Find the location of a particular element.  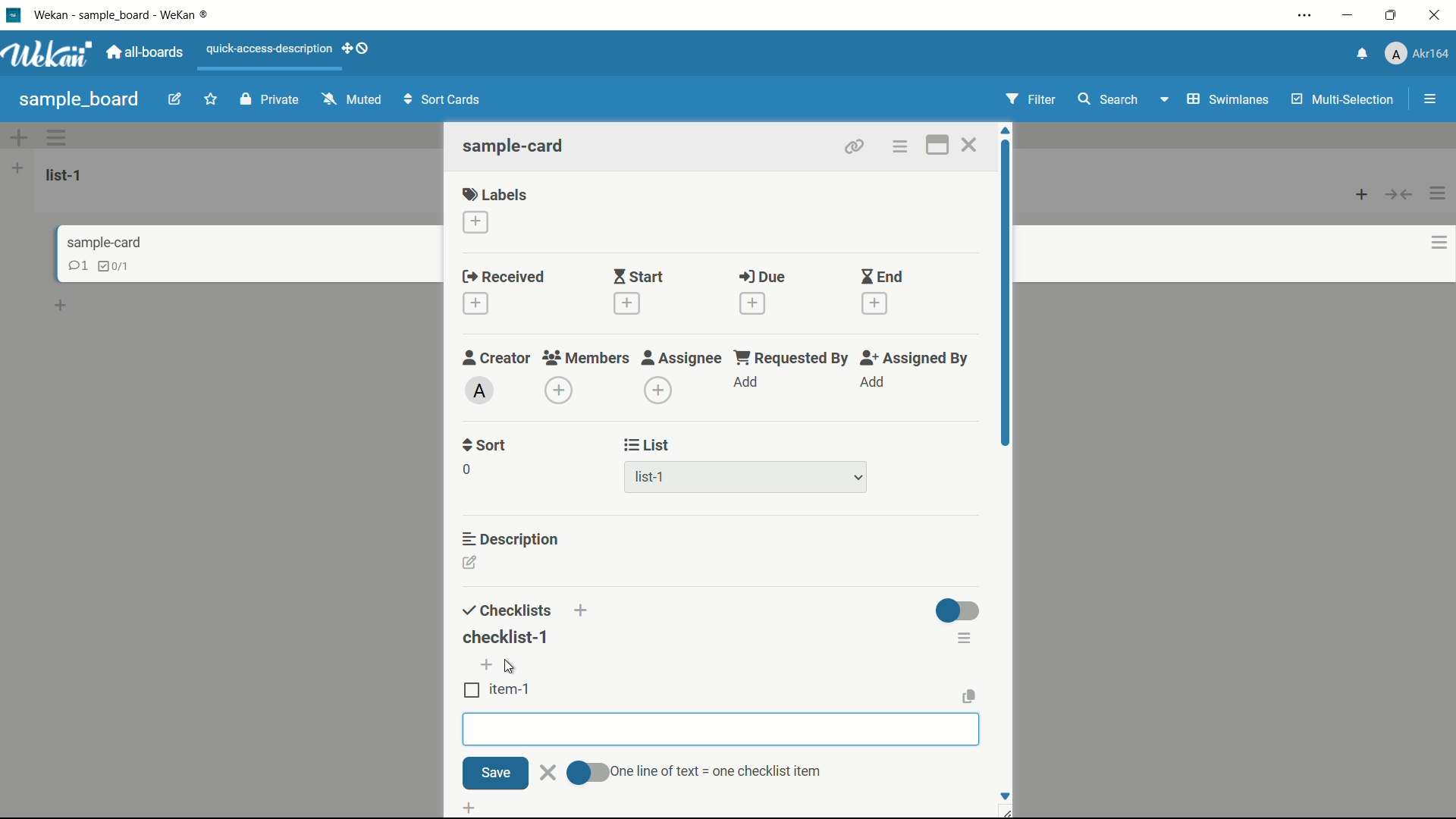

checklist is located at coordinates (116, 265).